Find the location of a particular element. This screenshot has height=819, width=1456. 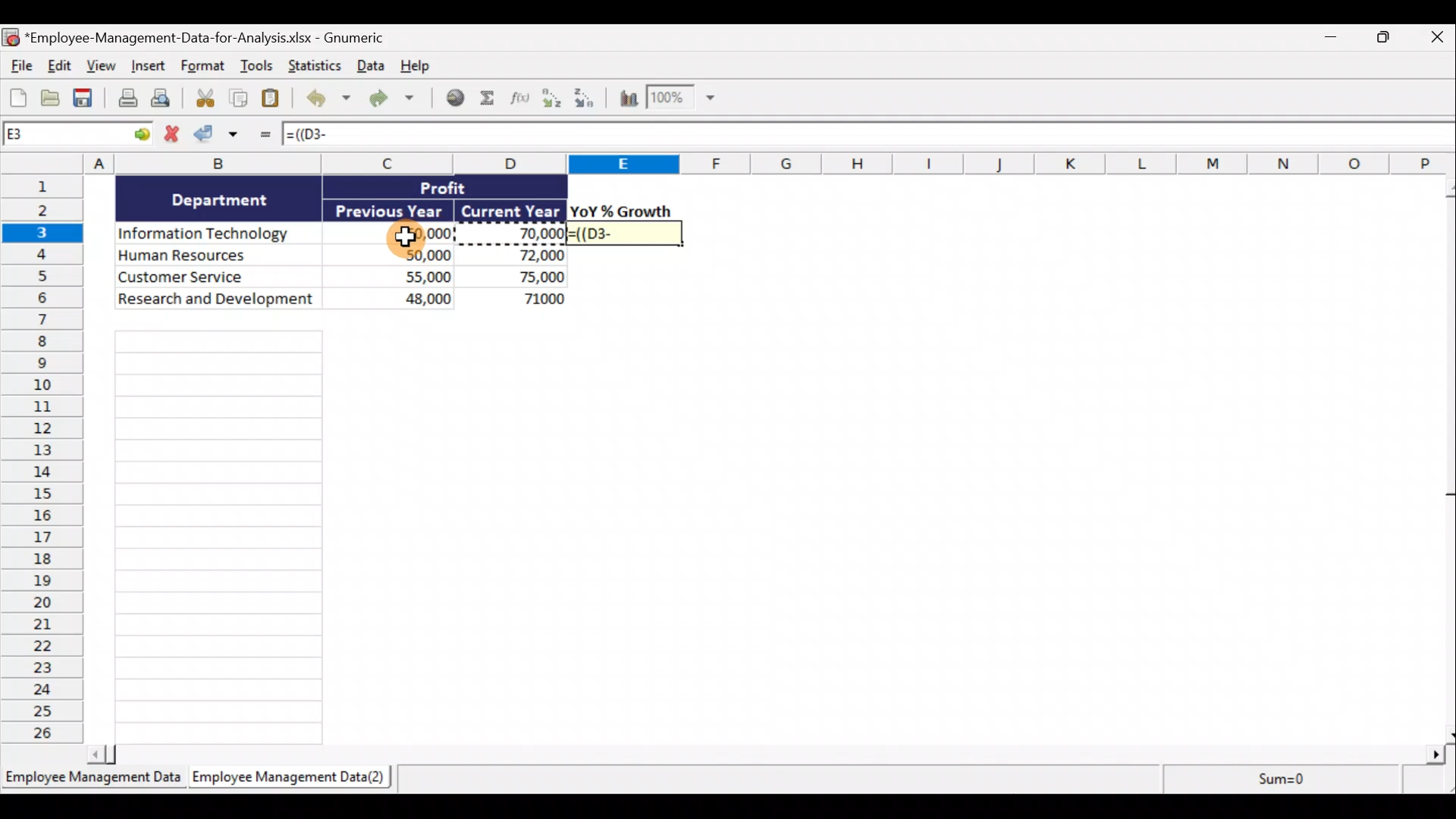

=((D3- is located at coordinates (627, 233).